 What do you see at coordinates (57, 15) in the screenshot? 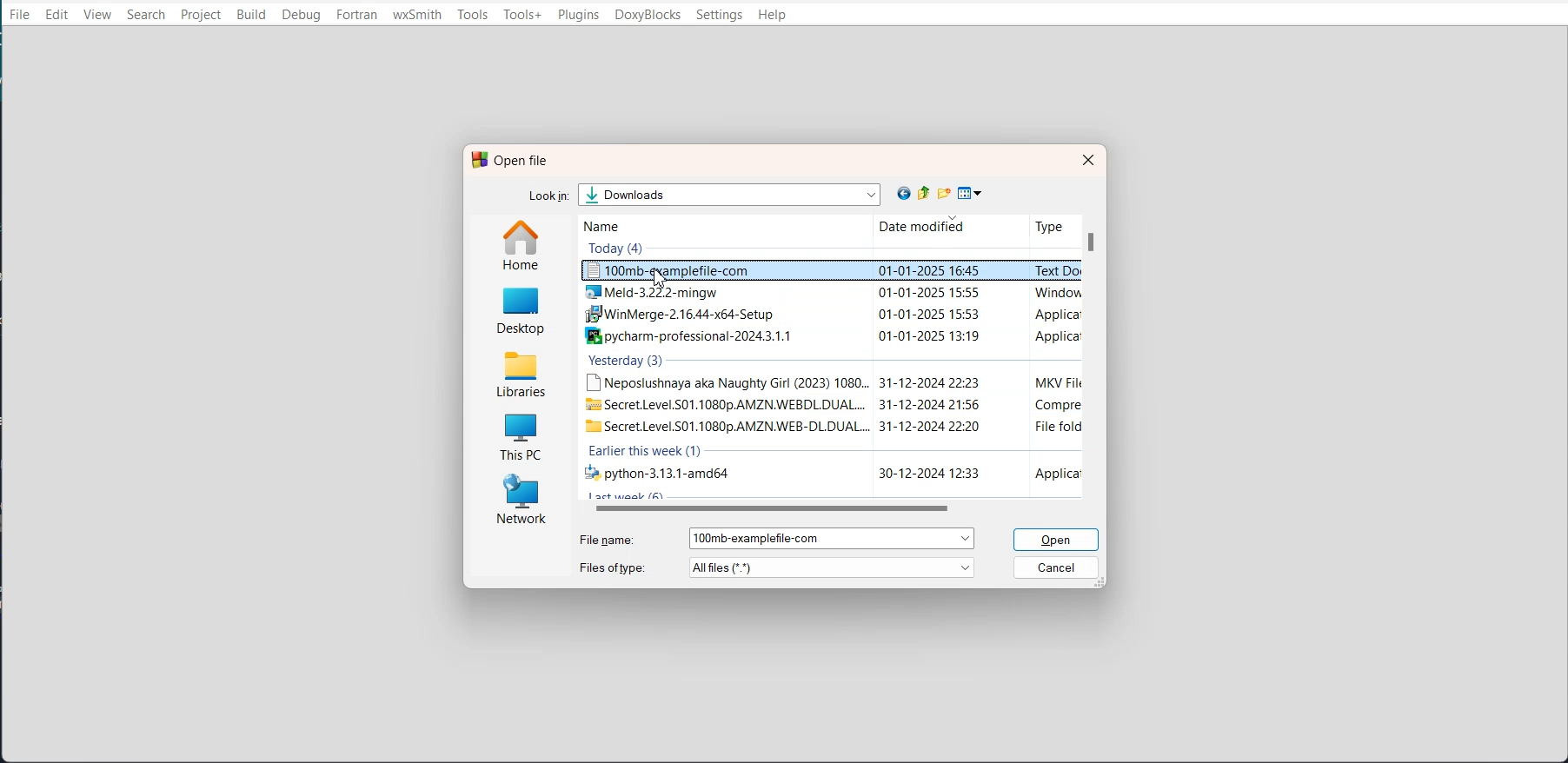
I see `Edit` at bounding box center [57, 15].